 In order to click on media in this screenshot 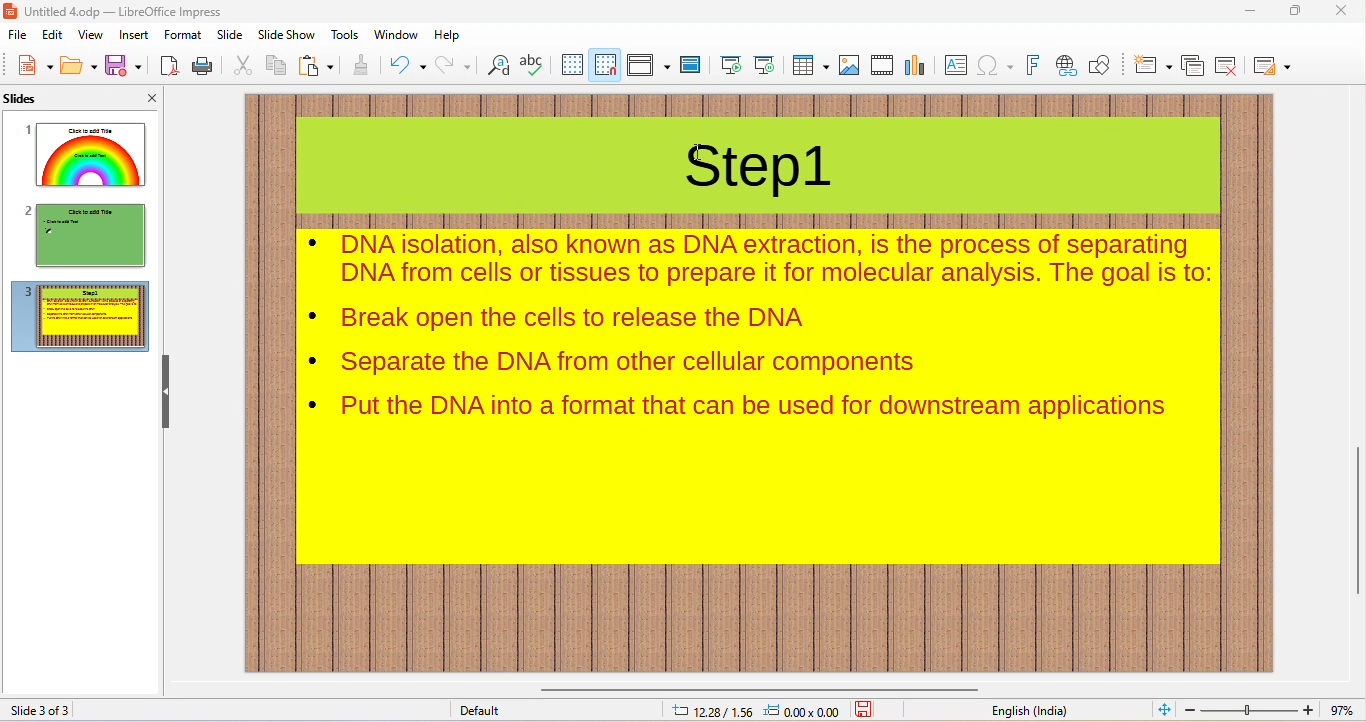, I will do `click(879, 64)`.